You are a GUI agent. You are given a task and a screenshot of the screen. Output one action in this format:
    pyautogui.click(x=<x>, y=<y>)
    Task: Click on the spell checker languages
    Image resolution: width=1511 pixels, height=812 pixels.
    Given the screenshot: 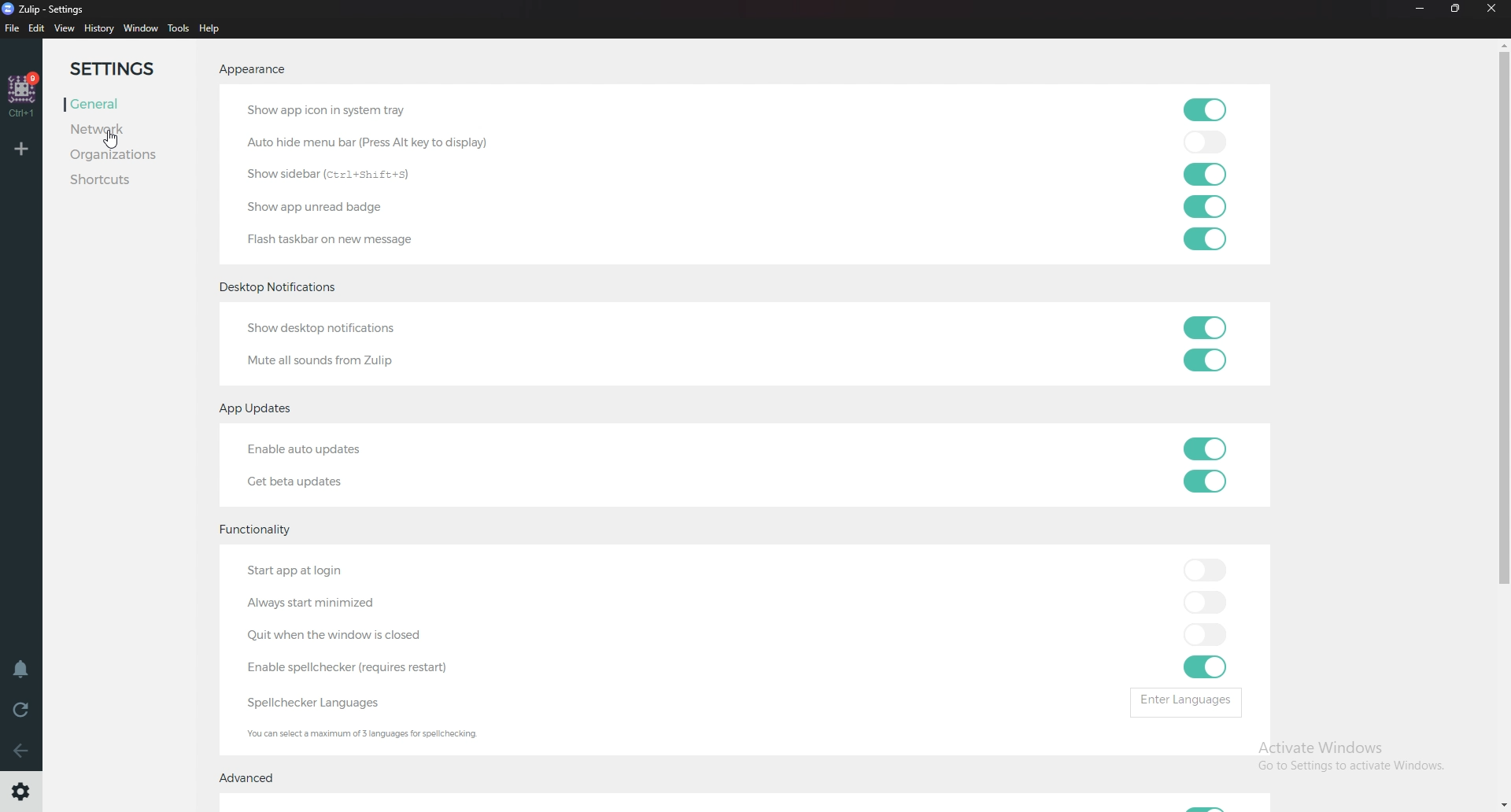 What is the action you would take?
    pyautogui.click(x=328, y=703)
    